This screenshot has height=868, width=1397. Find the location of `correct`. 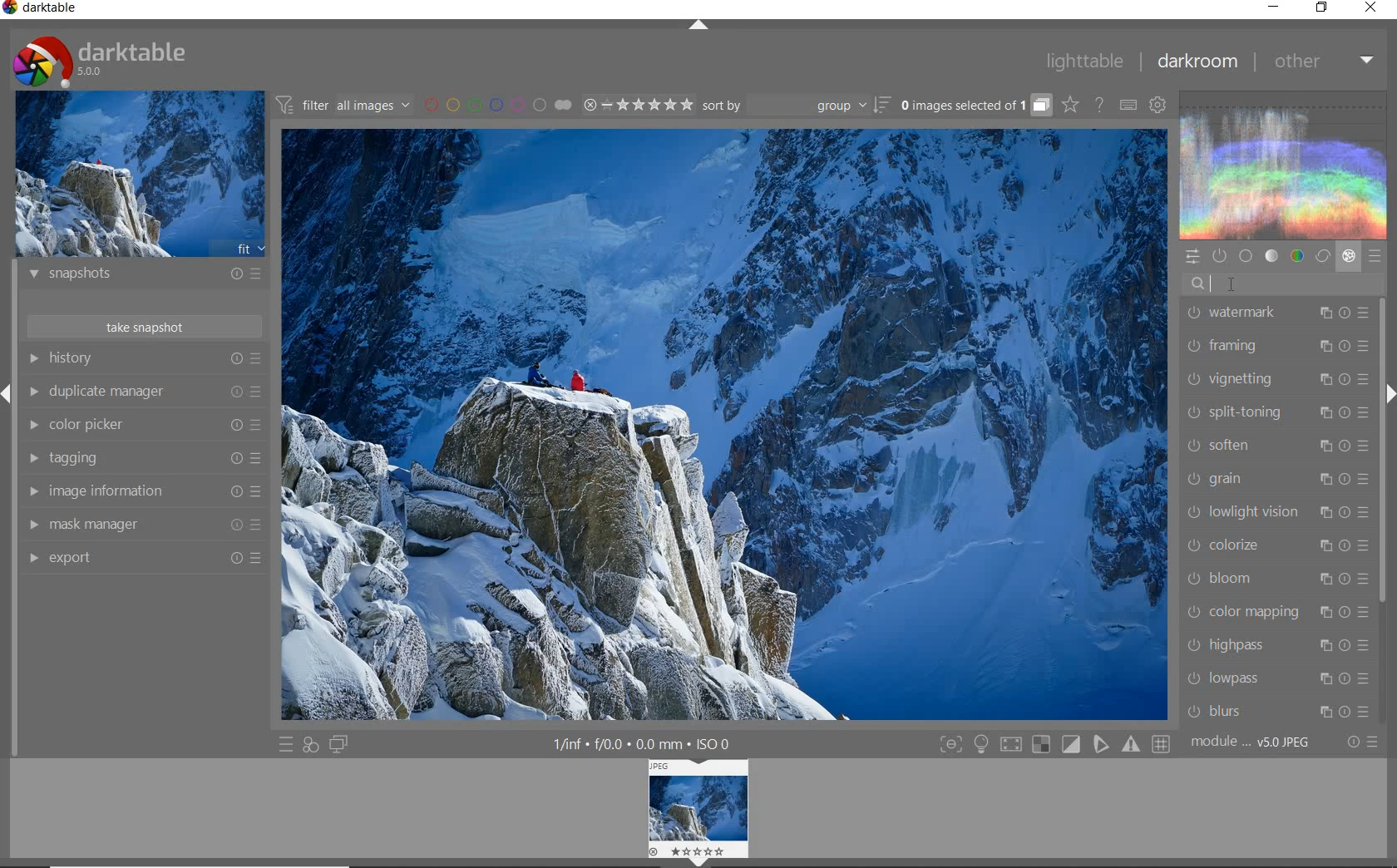

correct is located at coordinates (1322, 255).